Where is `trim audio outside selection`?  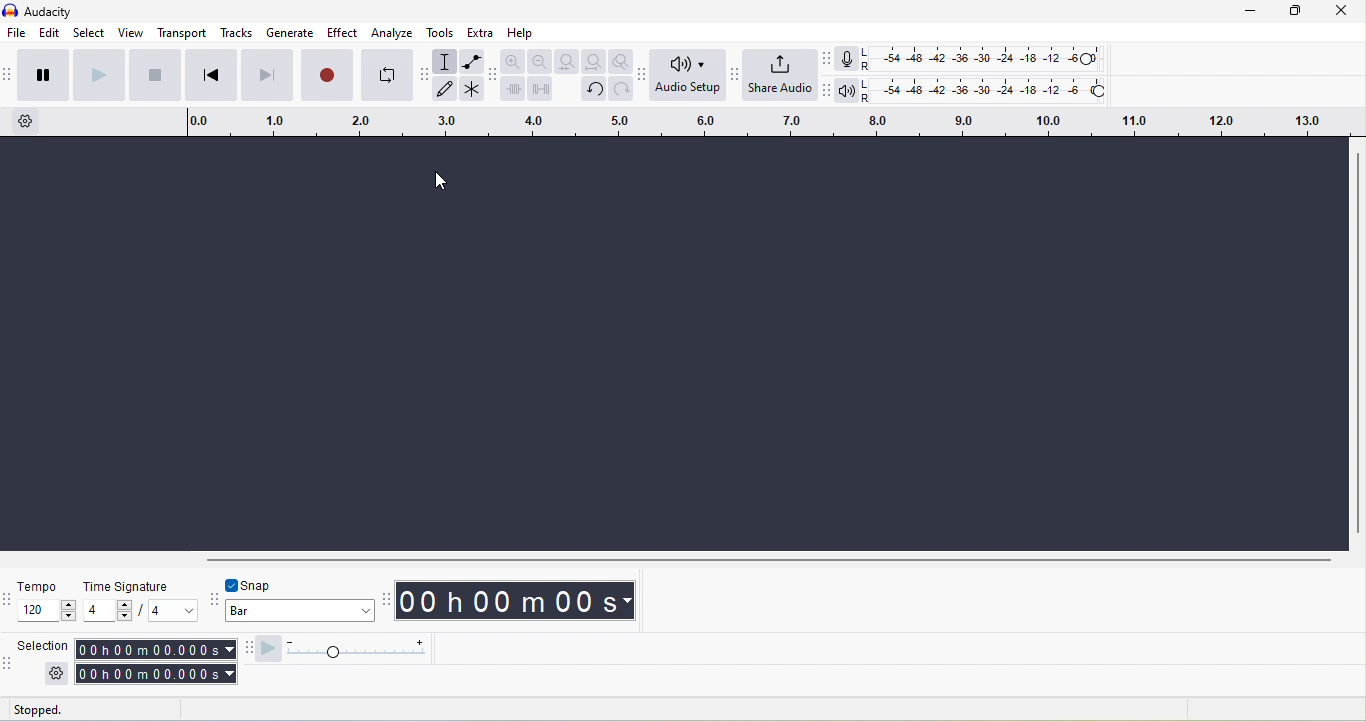 trim audio outside selection is located at coordinates (514, 90).